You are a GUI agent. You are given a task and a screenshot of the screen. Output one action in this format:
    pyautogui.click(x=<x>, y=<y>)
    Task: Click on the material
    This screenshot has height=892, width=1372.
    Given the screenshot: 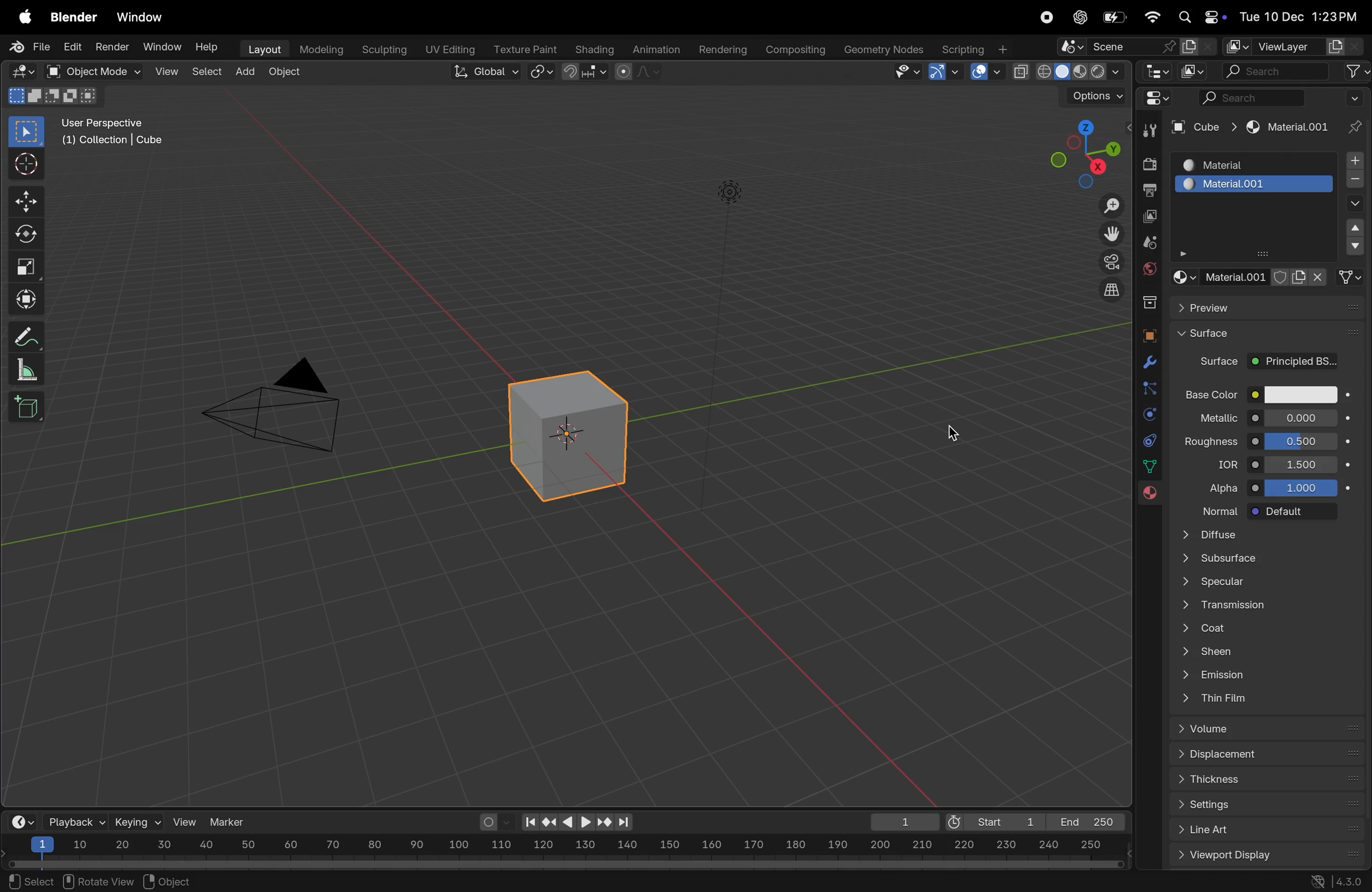 What is the action you would take?
    pyautogui.click(x=1146, y=495)
    